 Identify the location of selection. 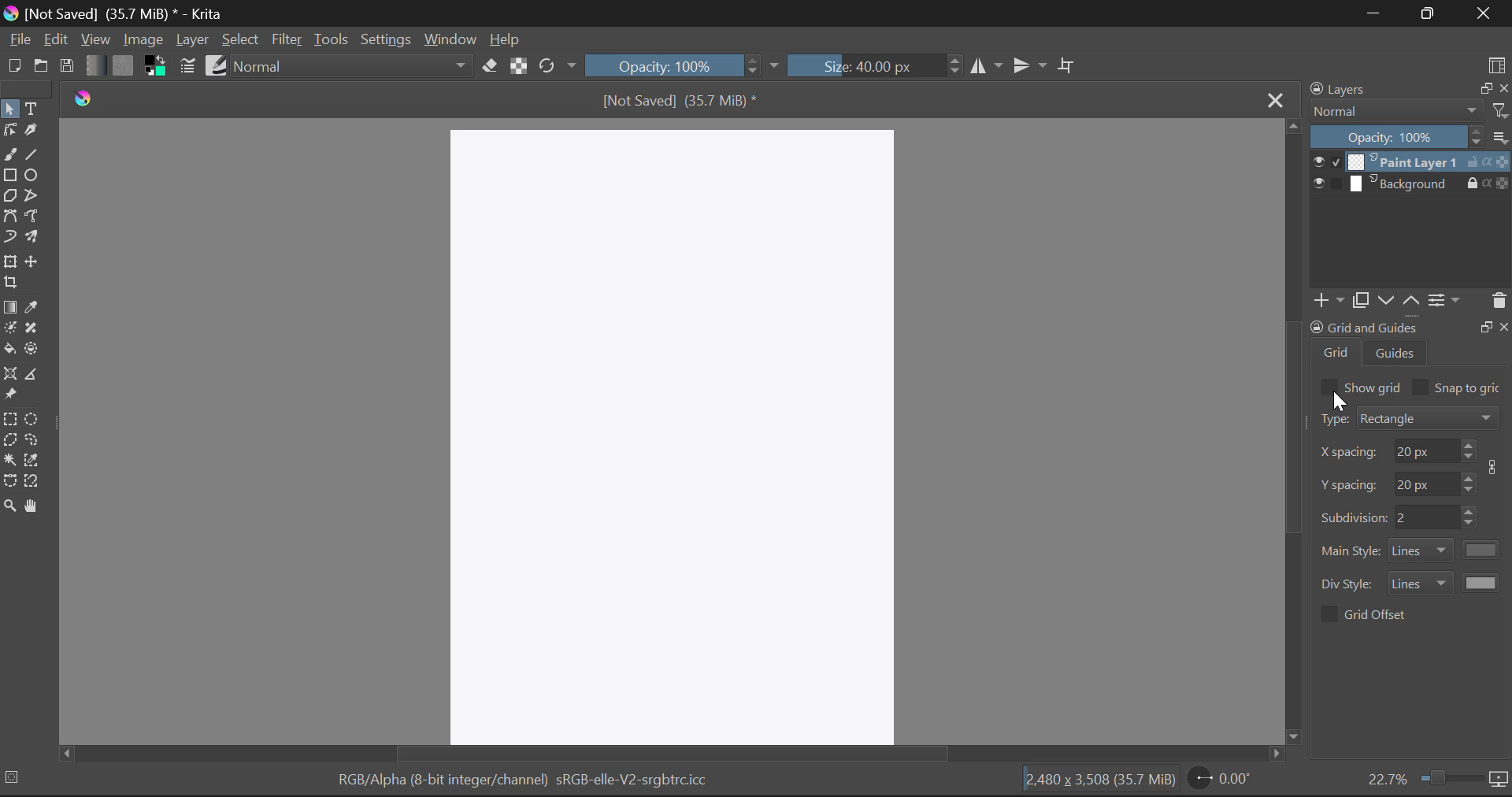
(15, 777).